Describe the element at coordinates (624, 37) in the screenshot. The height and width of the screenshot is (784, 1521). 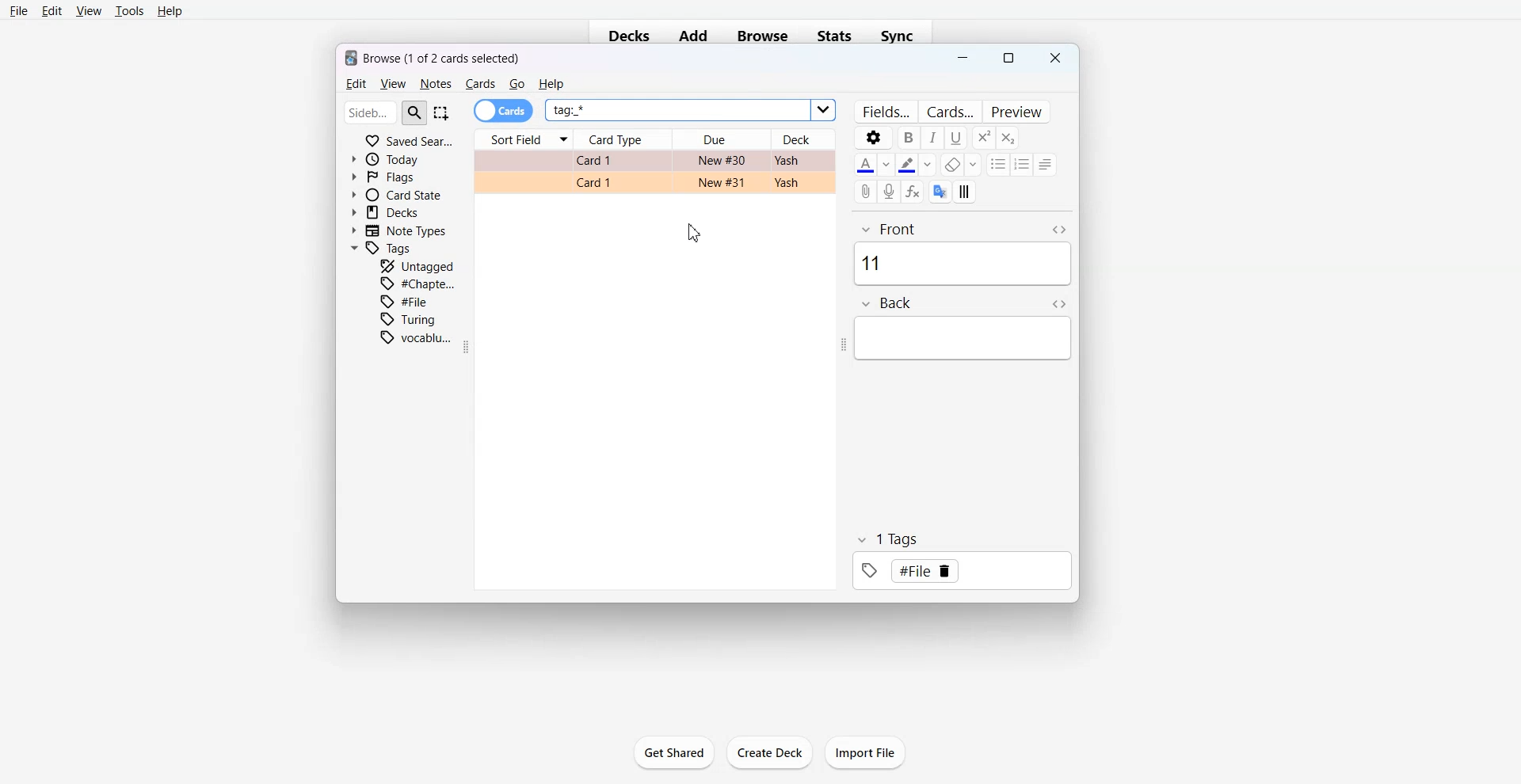
I see `Decks` at that location.